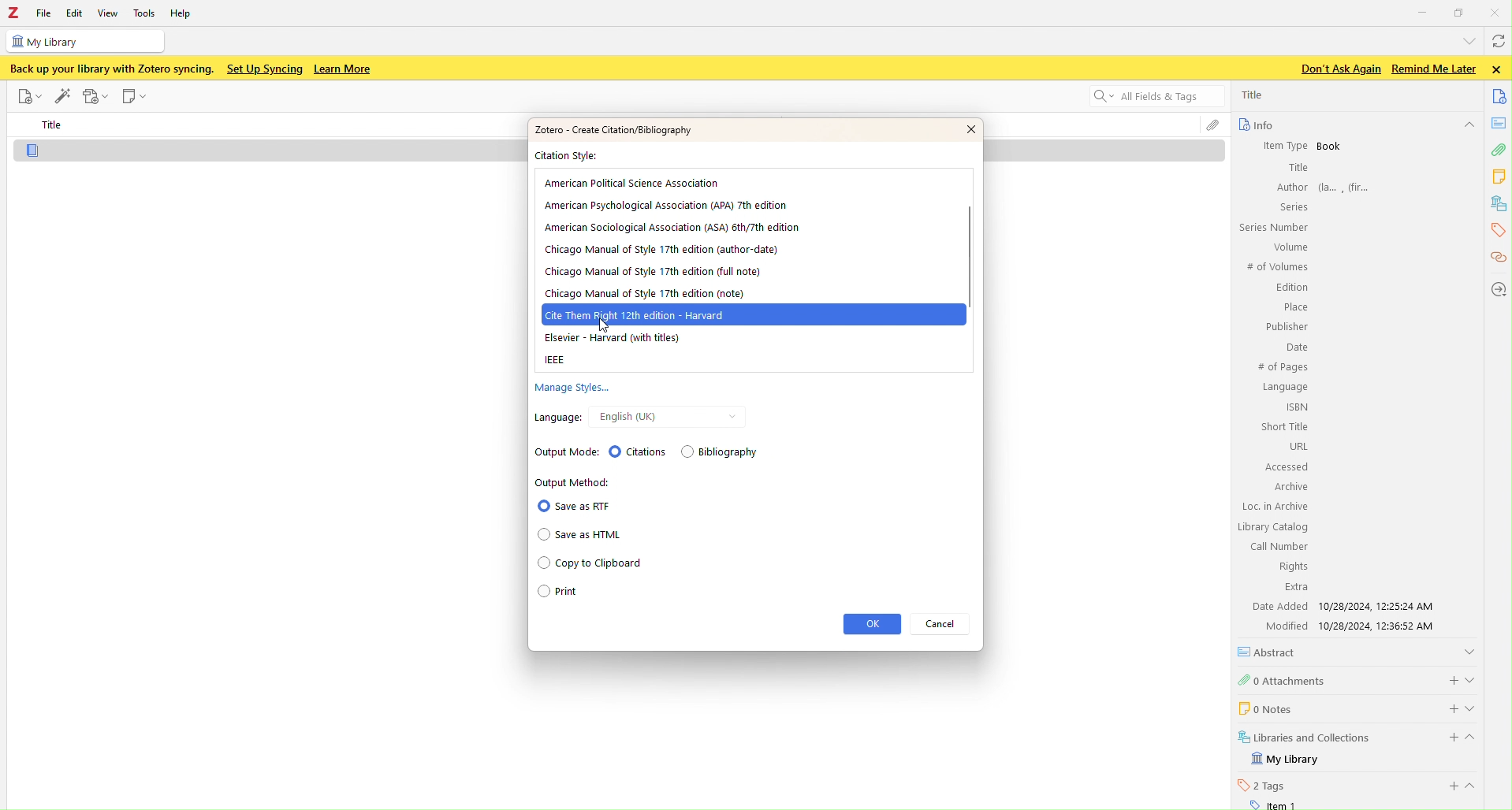 The width and height of the screenshot is (1512, 810). I want to click on EEE, so click(557, 361).